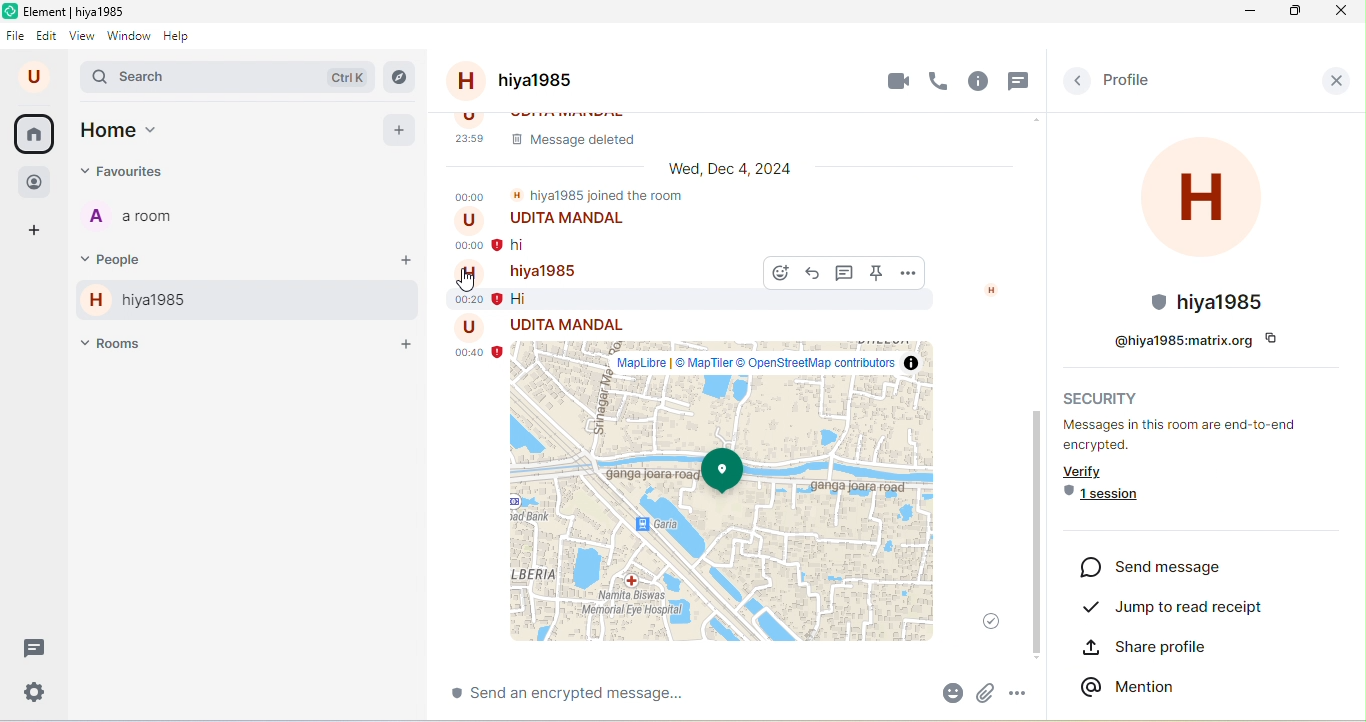 The height and width of the screenshot is (722, 1366). What do you see at coordinates (1344, 83) in the screenshot?
I see `close` at bounding box center [1344, 83].